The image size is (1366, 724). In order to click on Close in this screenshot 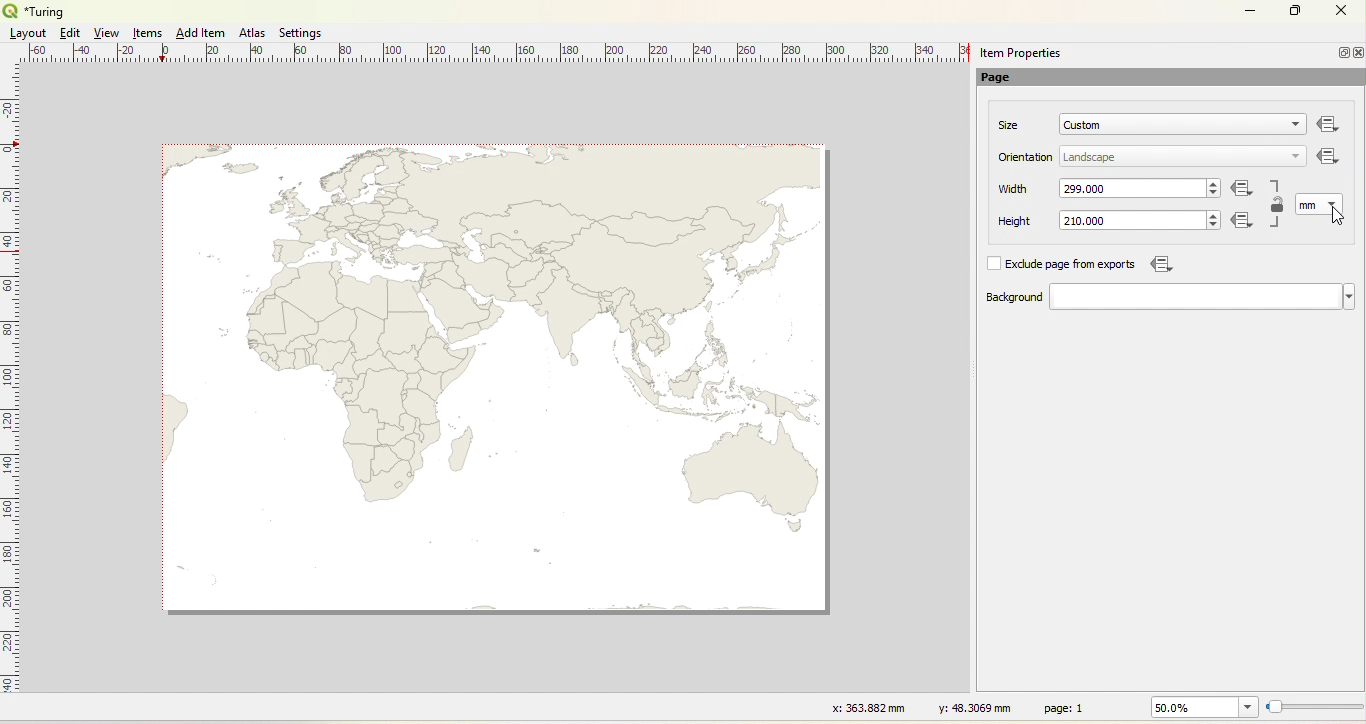, I will do `click(1340, 13)`.